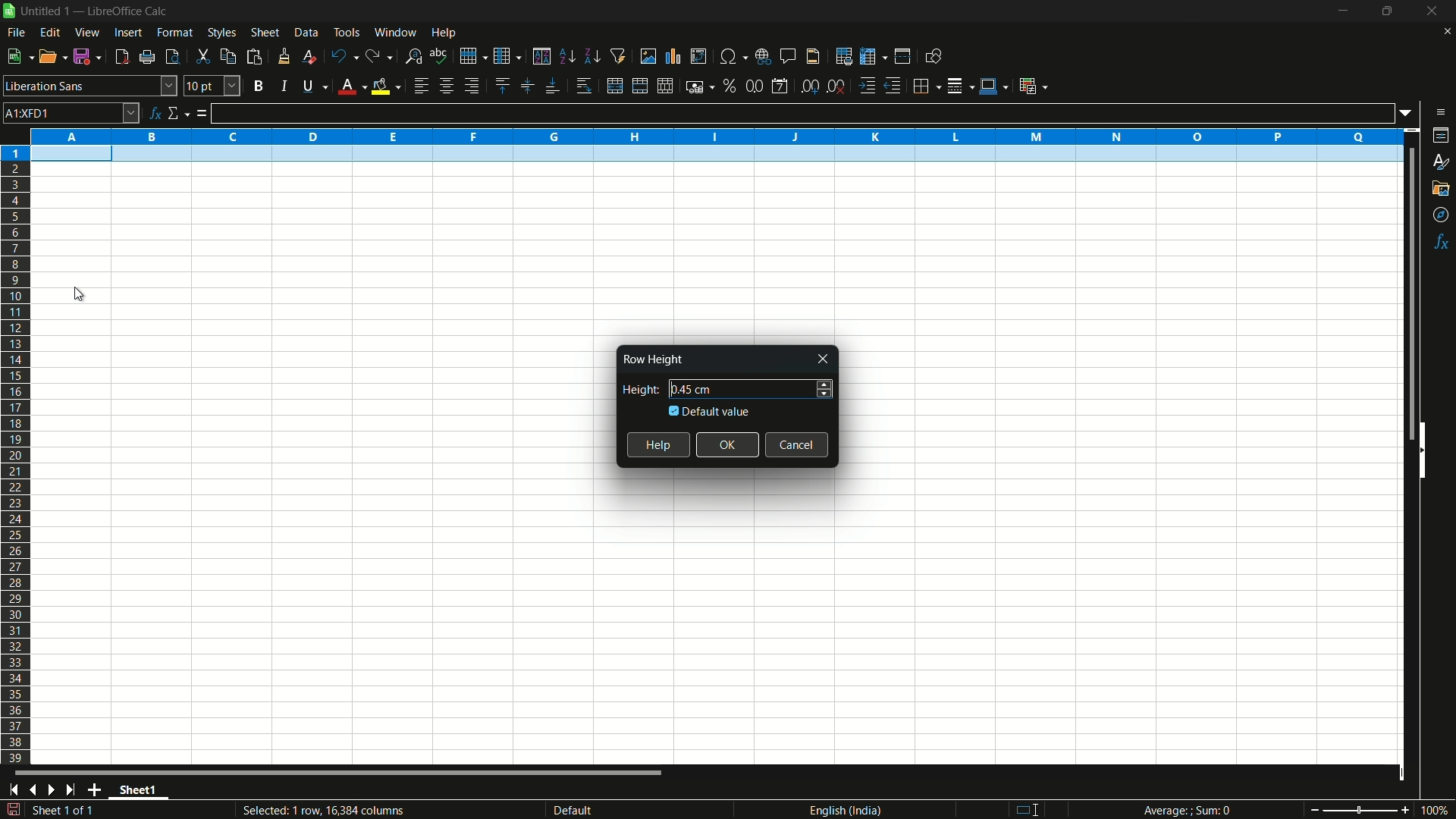 This screenshot has height=819, width=1456. What do you see at coordinates (284, 56) in the screenshot?
I see `clone formatting` at bounding box center [284, 56].